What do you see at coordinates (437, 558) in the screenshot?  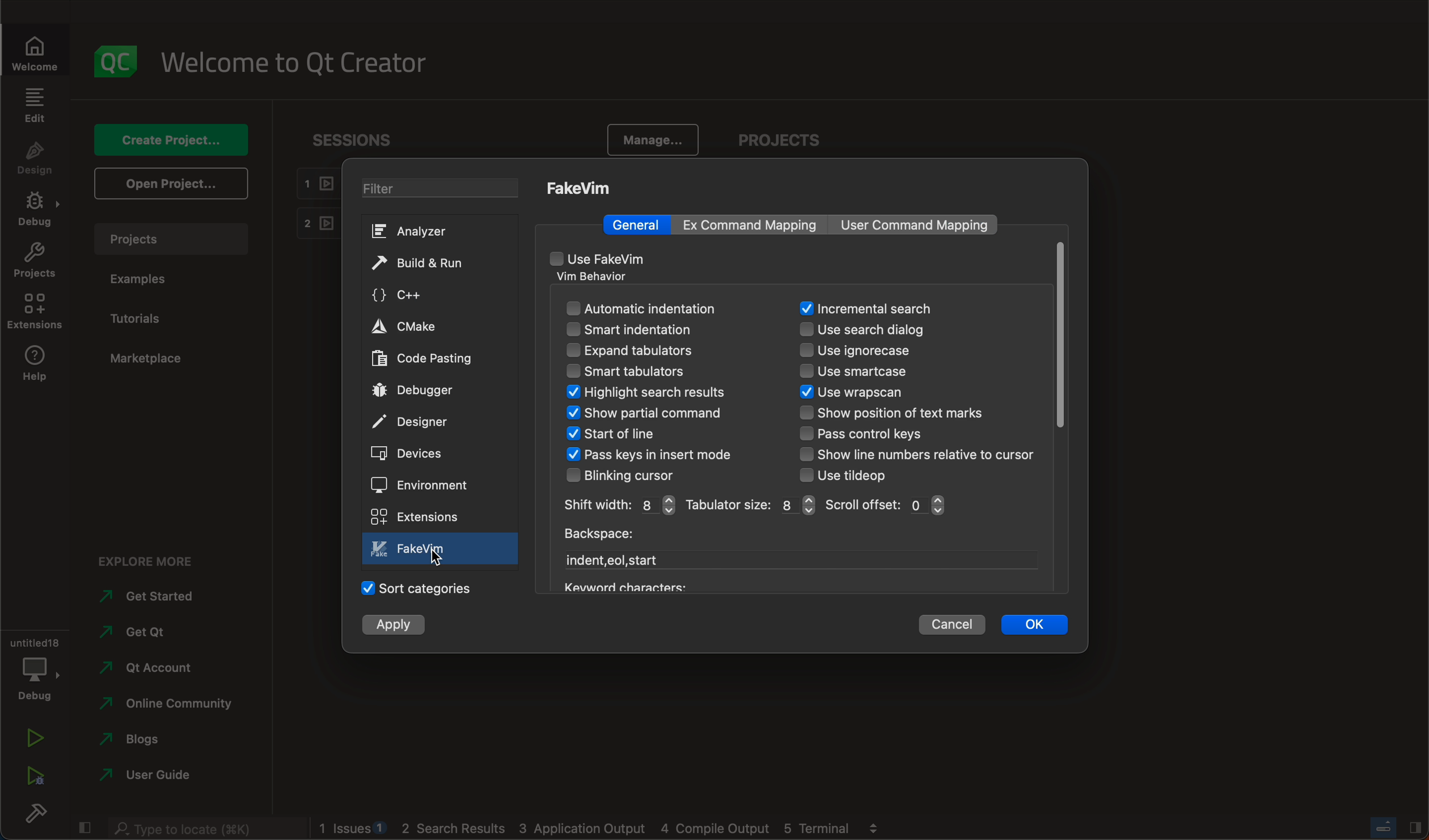 I see `cursor` at bounding box center [437, 558].